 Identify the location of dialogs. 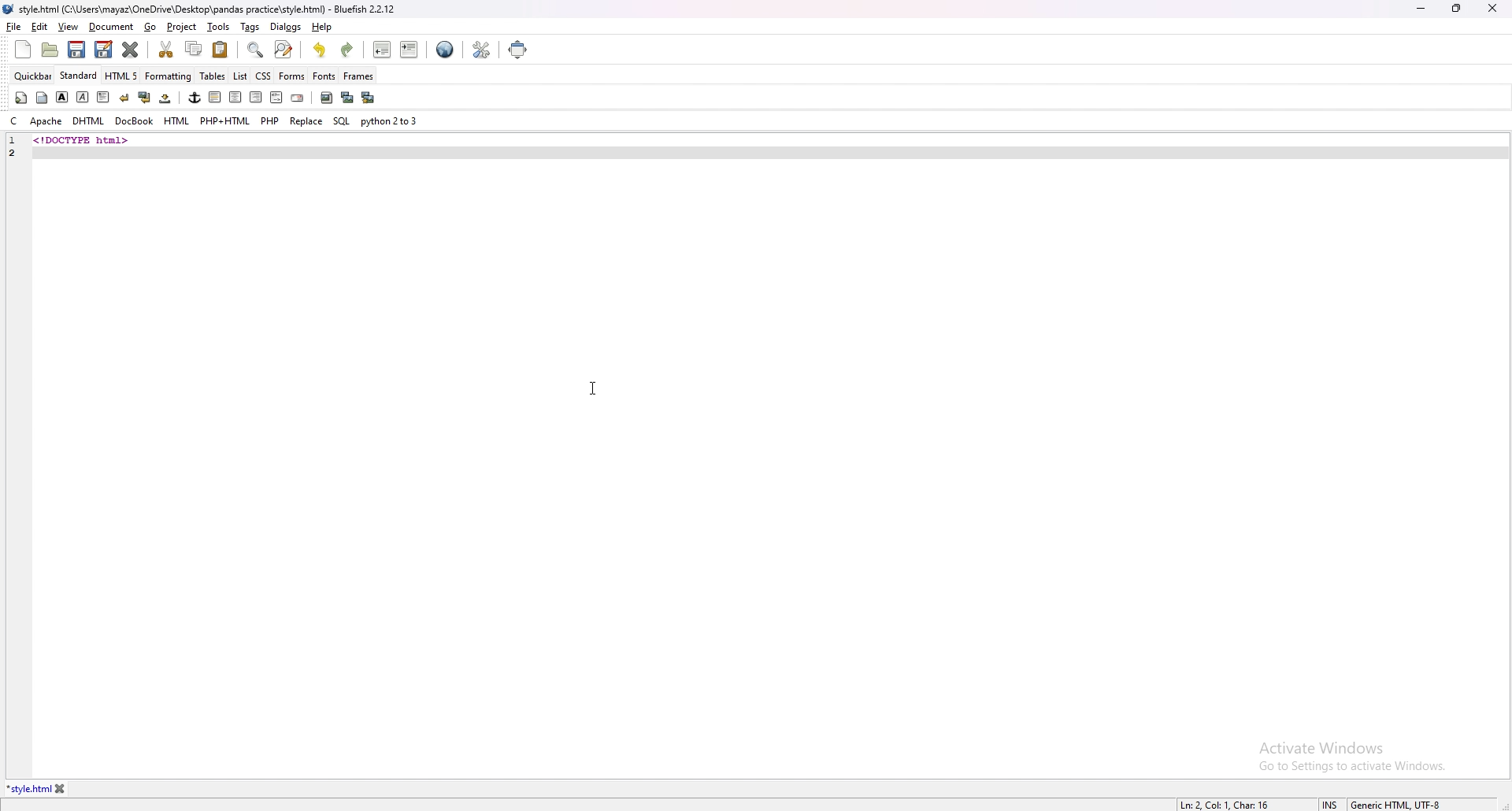
(286, 27).